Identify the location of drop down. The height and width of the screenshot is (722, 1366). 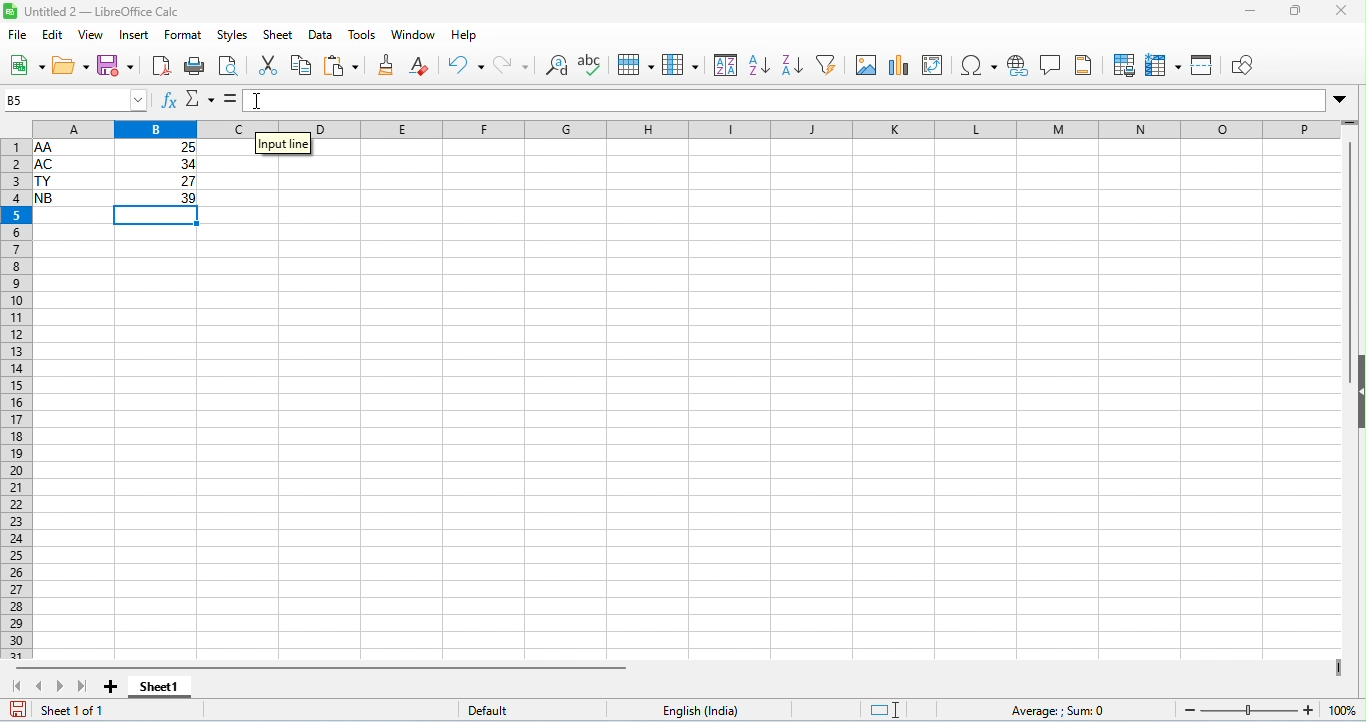
(1341, 100).